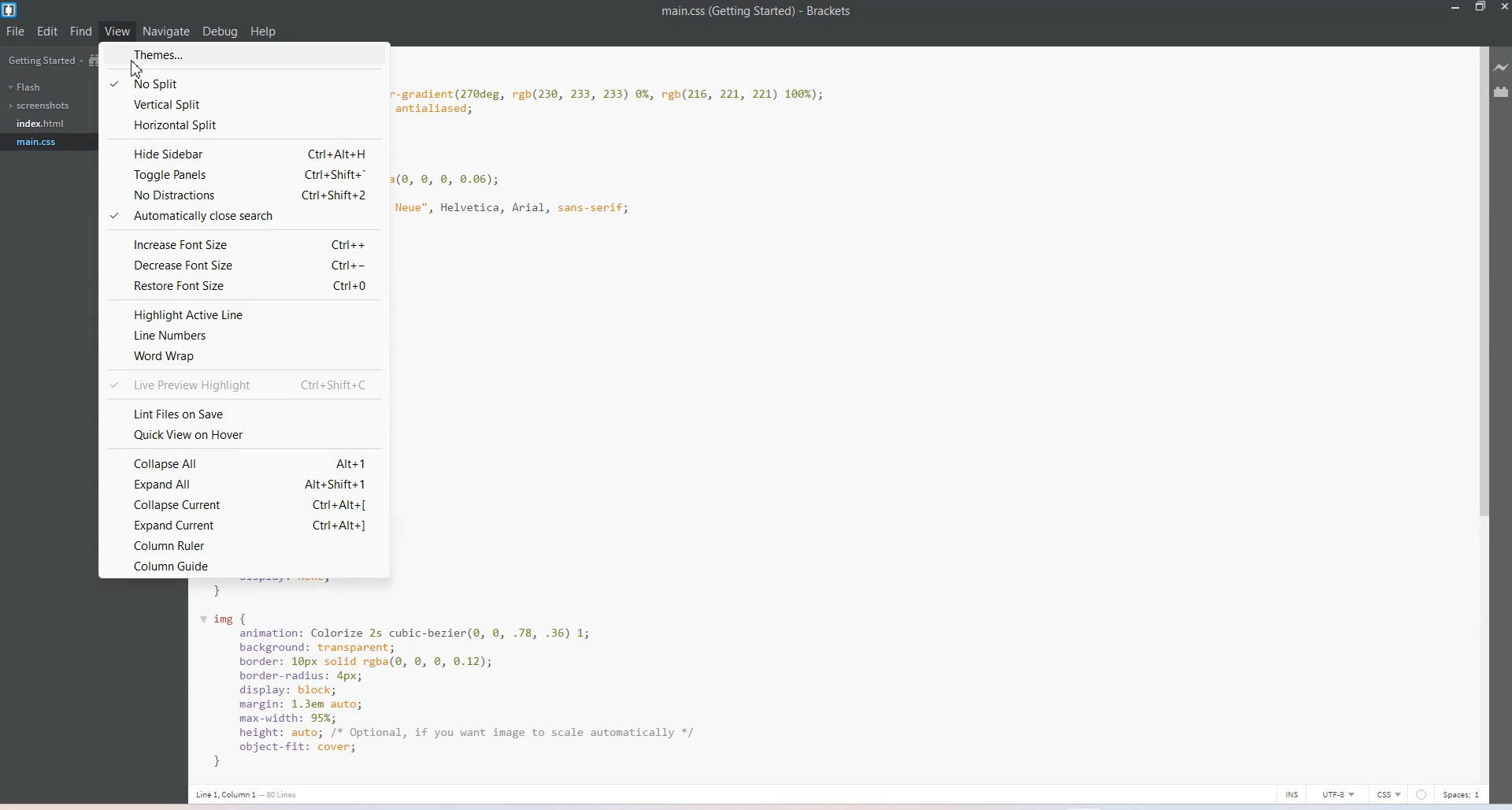 The height and width of the screenshot is (810, 1512). What do you see at coordinates (242, 504) in the screenshot?
I see `Collapse Current` at bounding box center [242, 504].